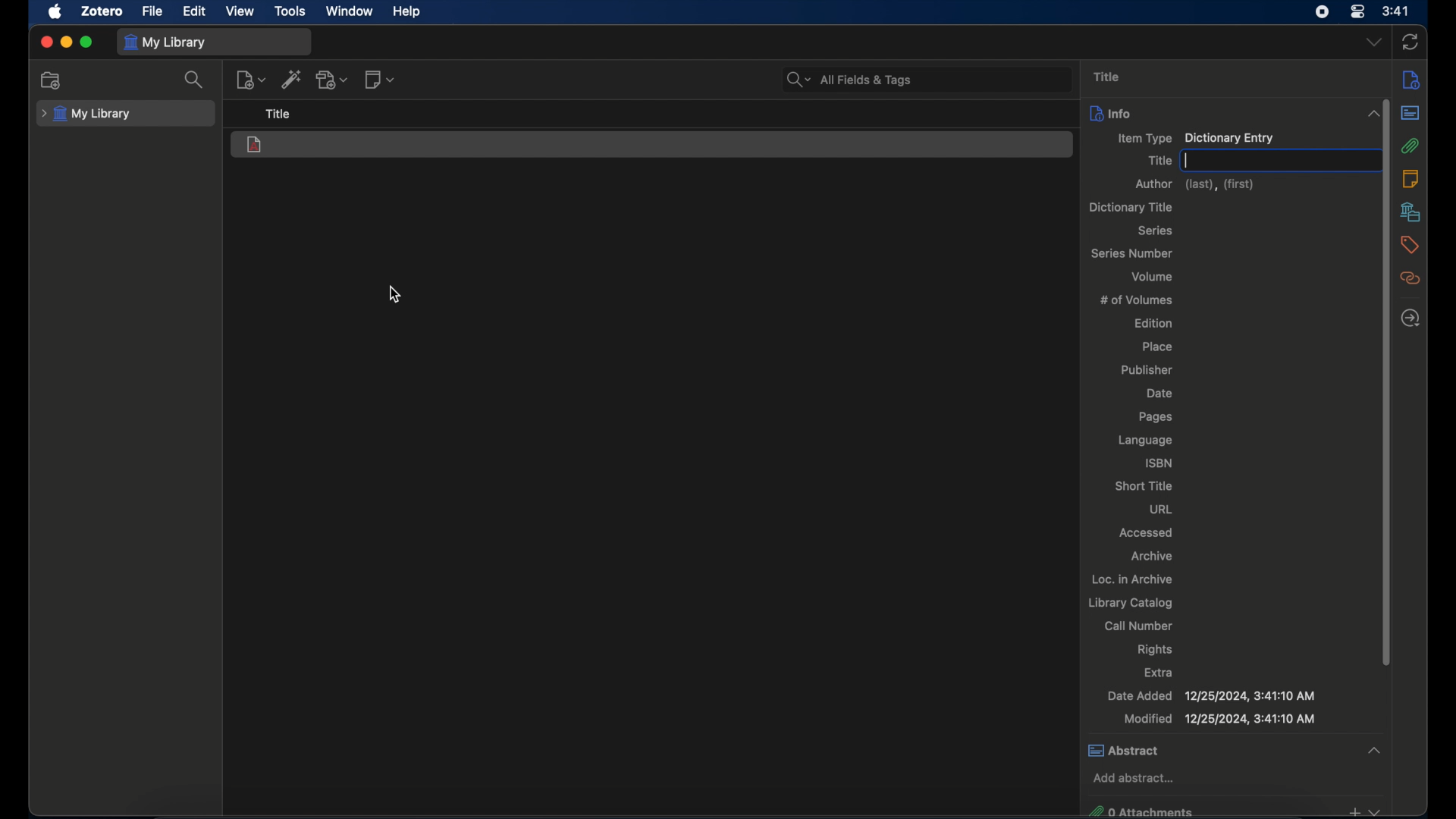  What do you see at coordinates (1137, 299) in the screenshot?
I see `no of volumes` at bounding box center [1137, 299].